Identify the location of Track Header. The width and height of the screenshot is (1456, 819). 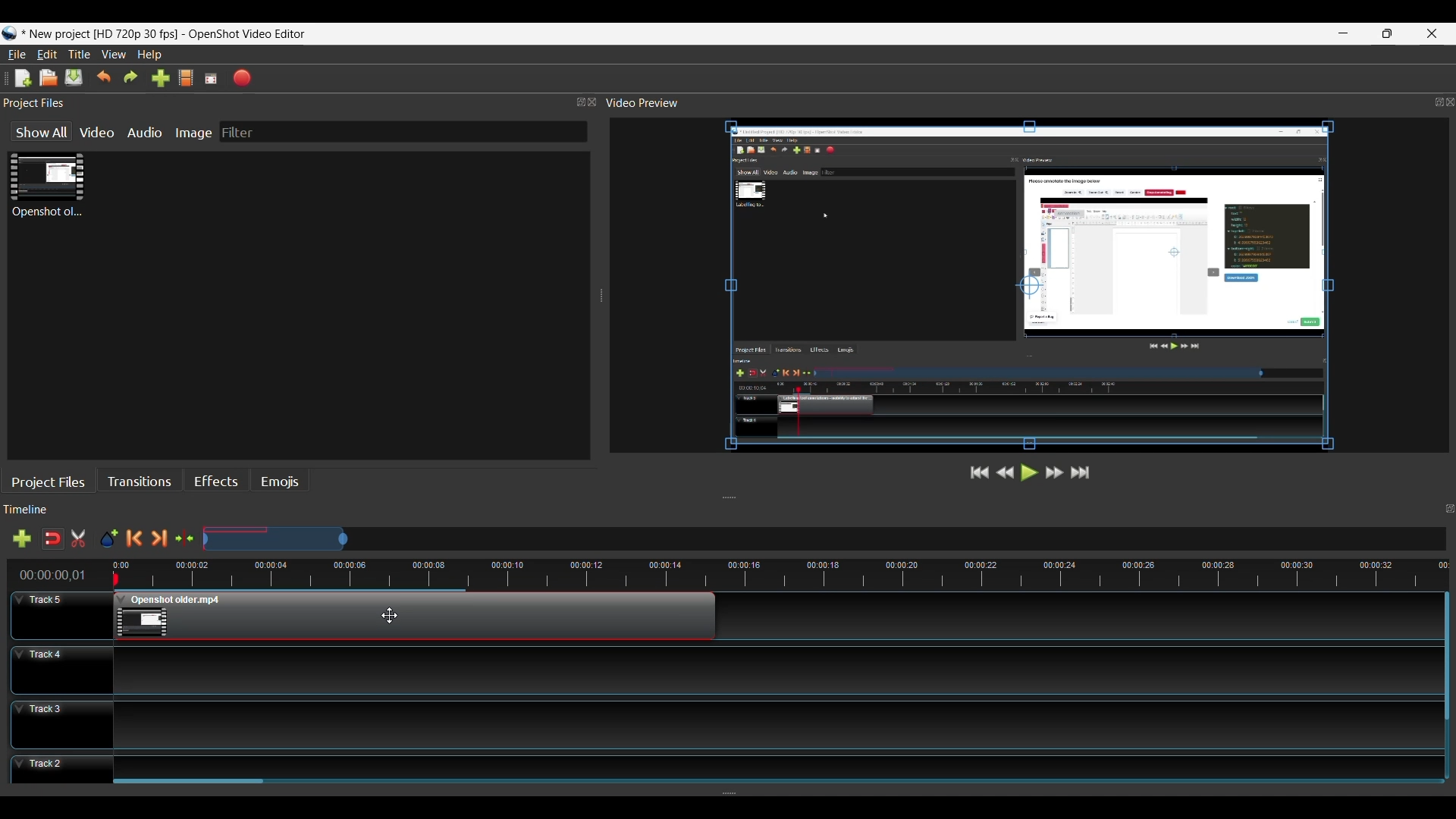
(61, 769).